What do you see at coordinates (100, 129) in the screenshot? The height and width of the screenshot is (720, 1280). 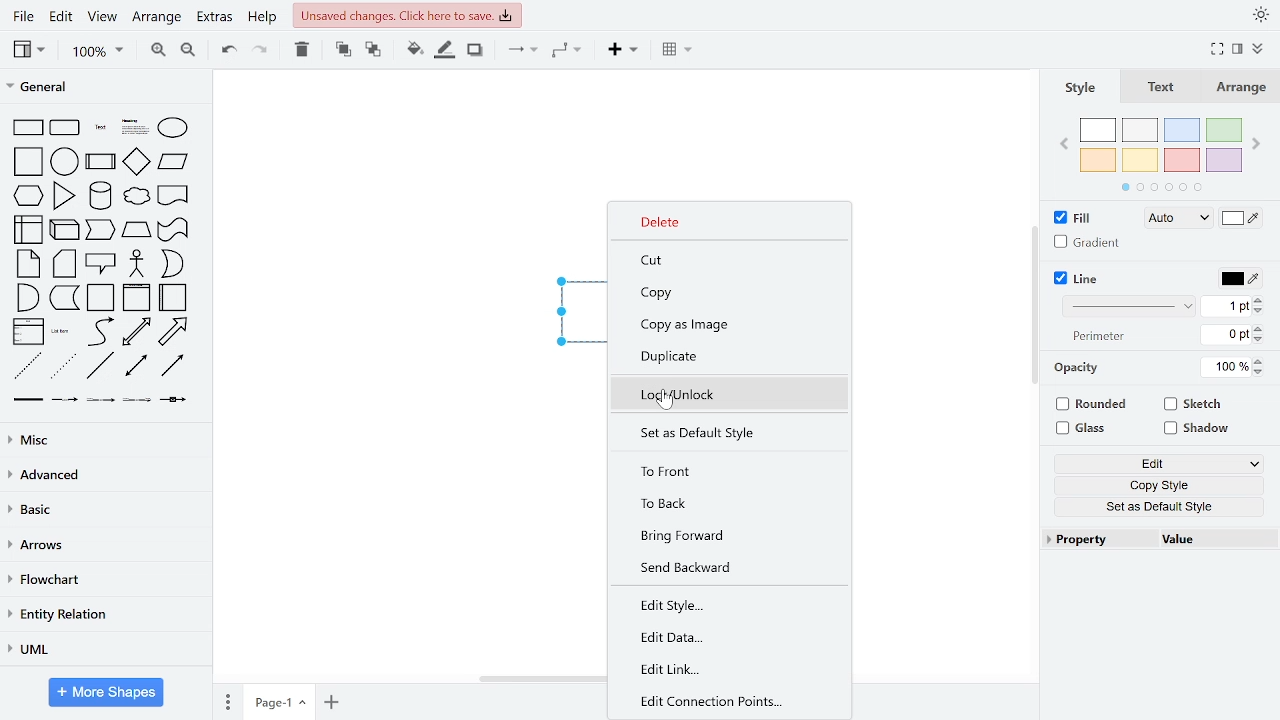 I see `text` at bounding box center [100, 129].